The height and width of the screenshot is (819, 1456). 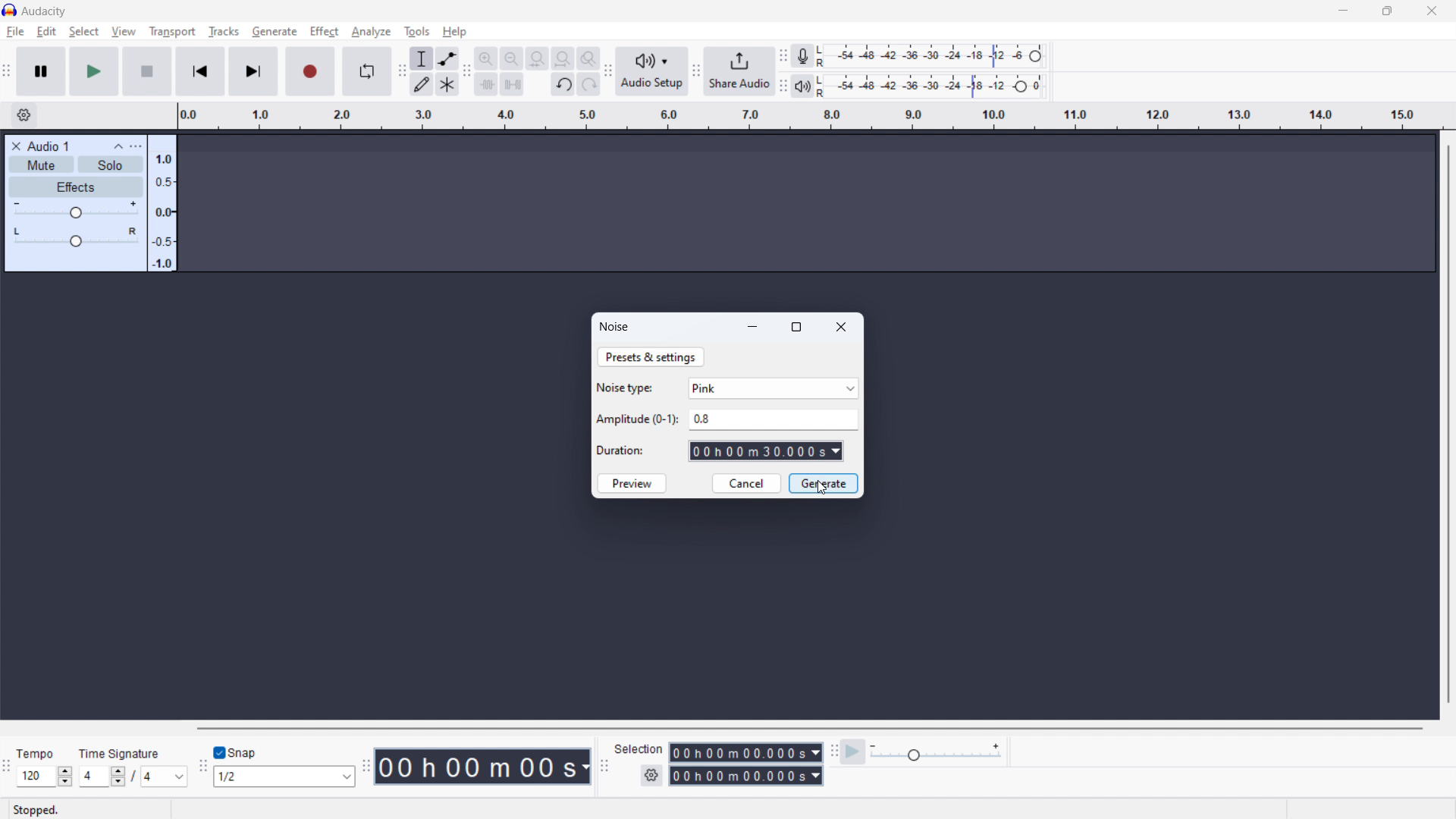 I want to click on logo, so click(x=9, y=11).